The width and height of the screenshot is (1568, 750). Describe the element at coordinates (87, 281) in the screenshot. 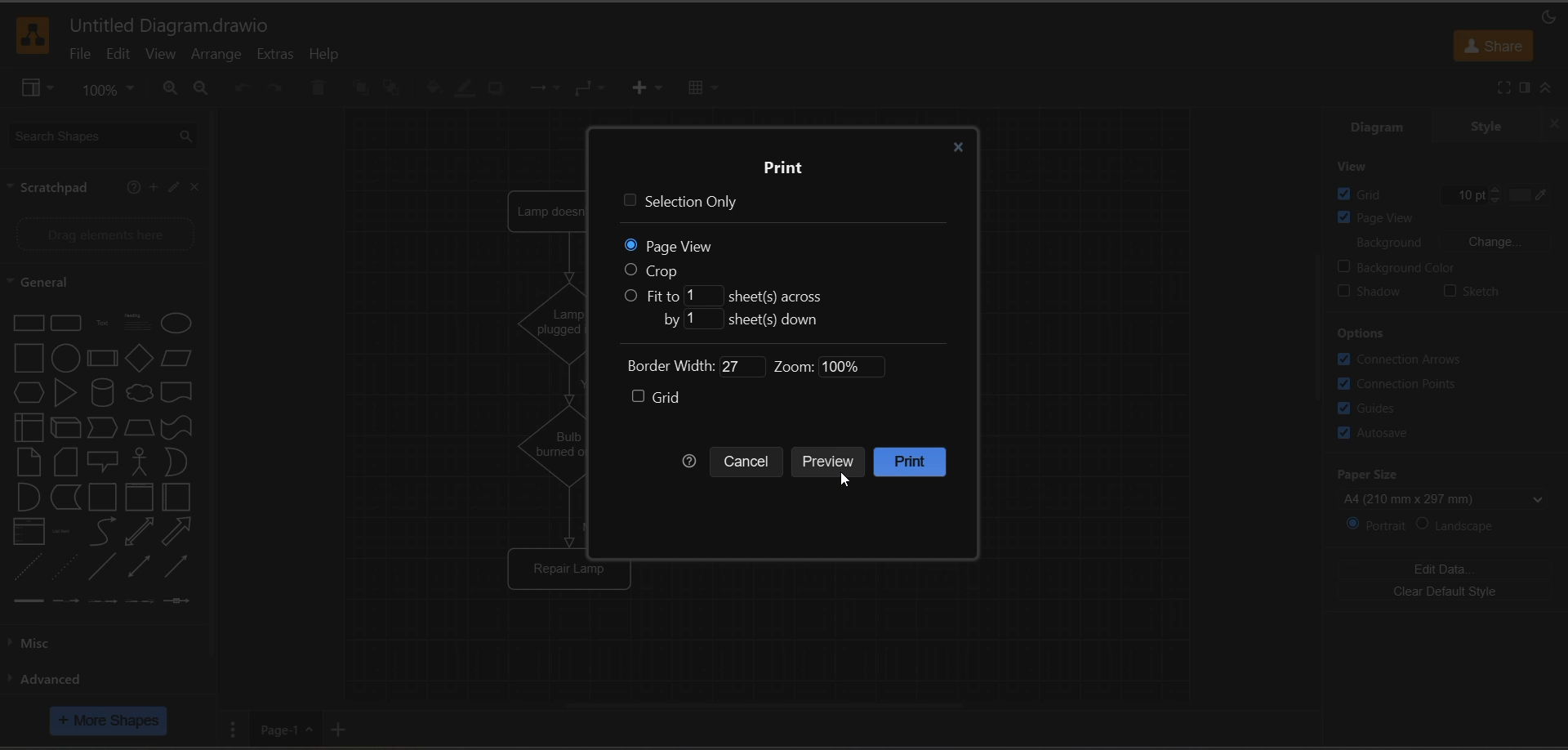

I see `general` at that location.